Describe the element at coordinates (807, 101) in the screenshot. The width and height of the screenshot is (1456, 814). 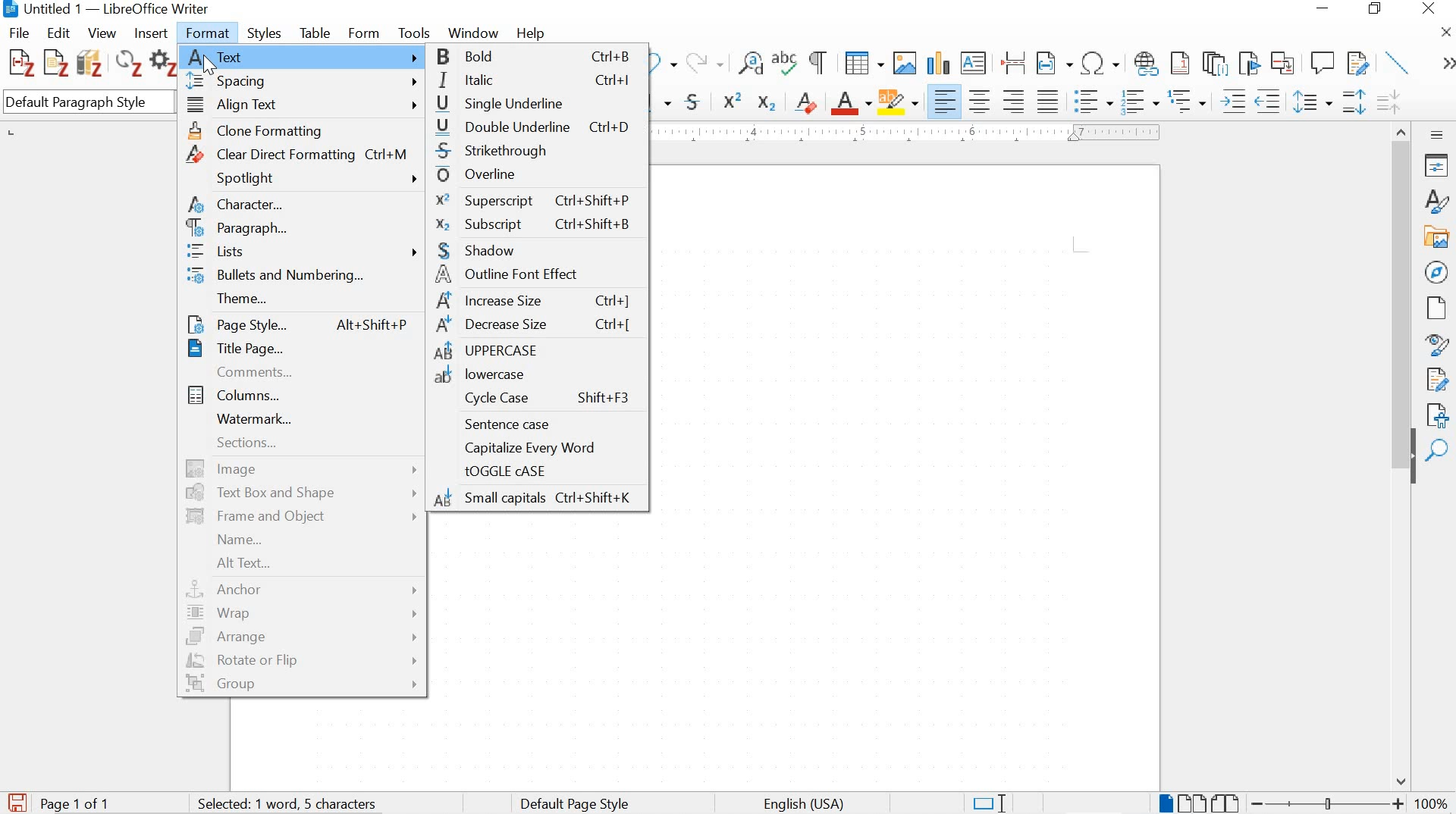
I see `clear direct formatting` at that location.